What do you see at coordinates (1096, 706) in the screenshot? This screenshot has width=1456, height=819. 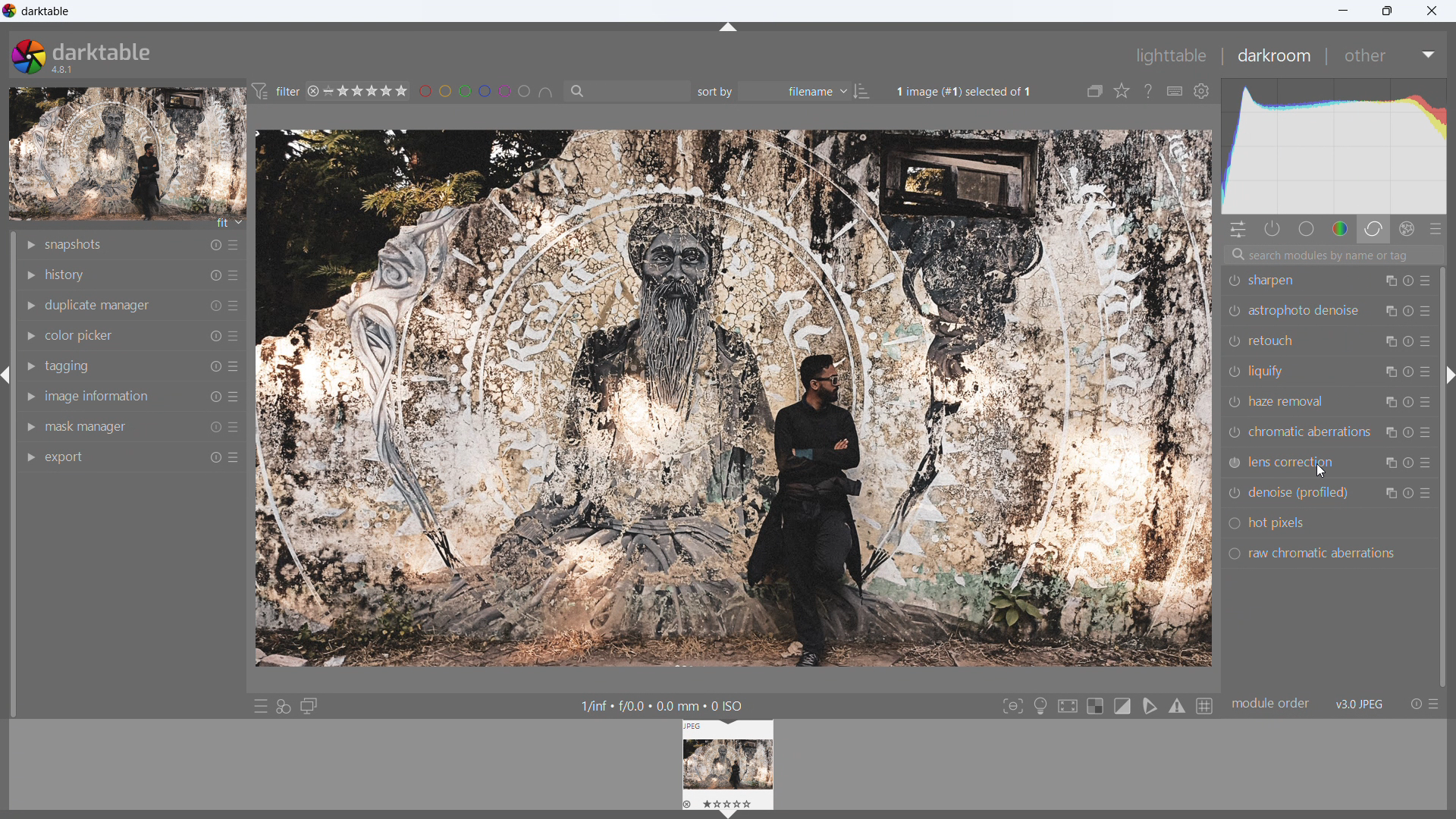 I see `toggle indication for raw overexposure` at bounding box center [1096, 706].